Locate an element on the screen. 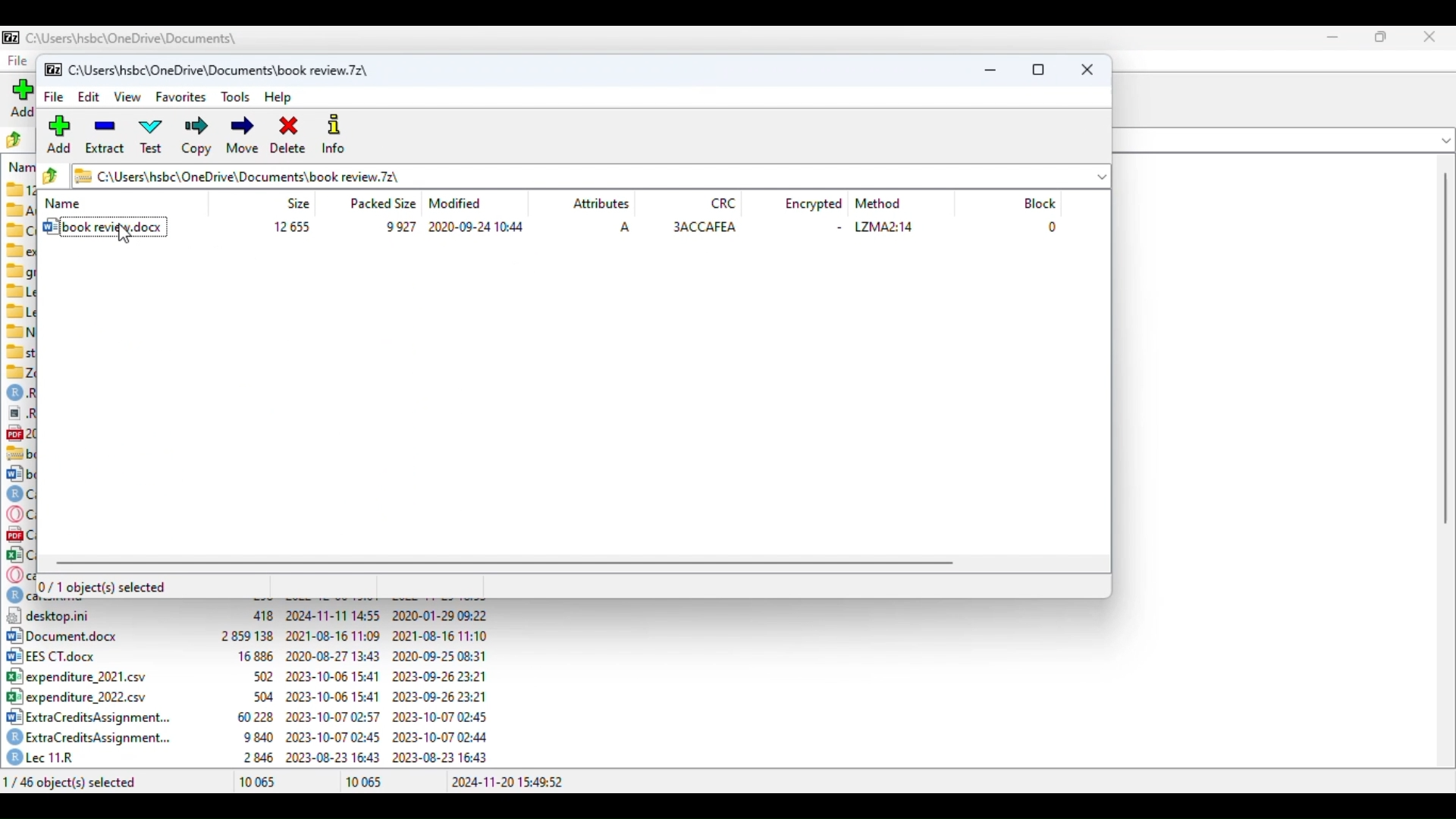 The image size is (1456, 819). 12 655 is located at coordinates (292, 227).